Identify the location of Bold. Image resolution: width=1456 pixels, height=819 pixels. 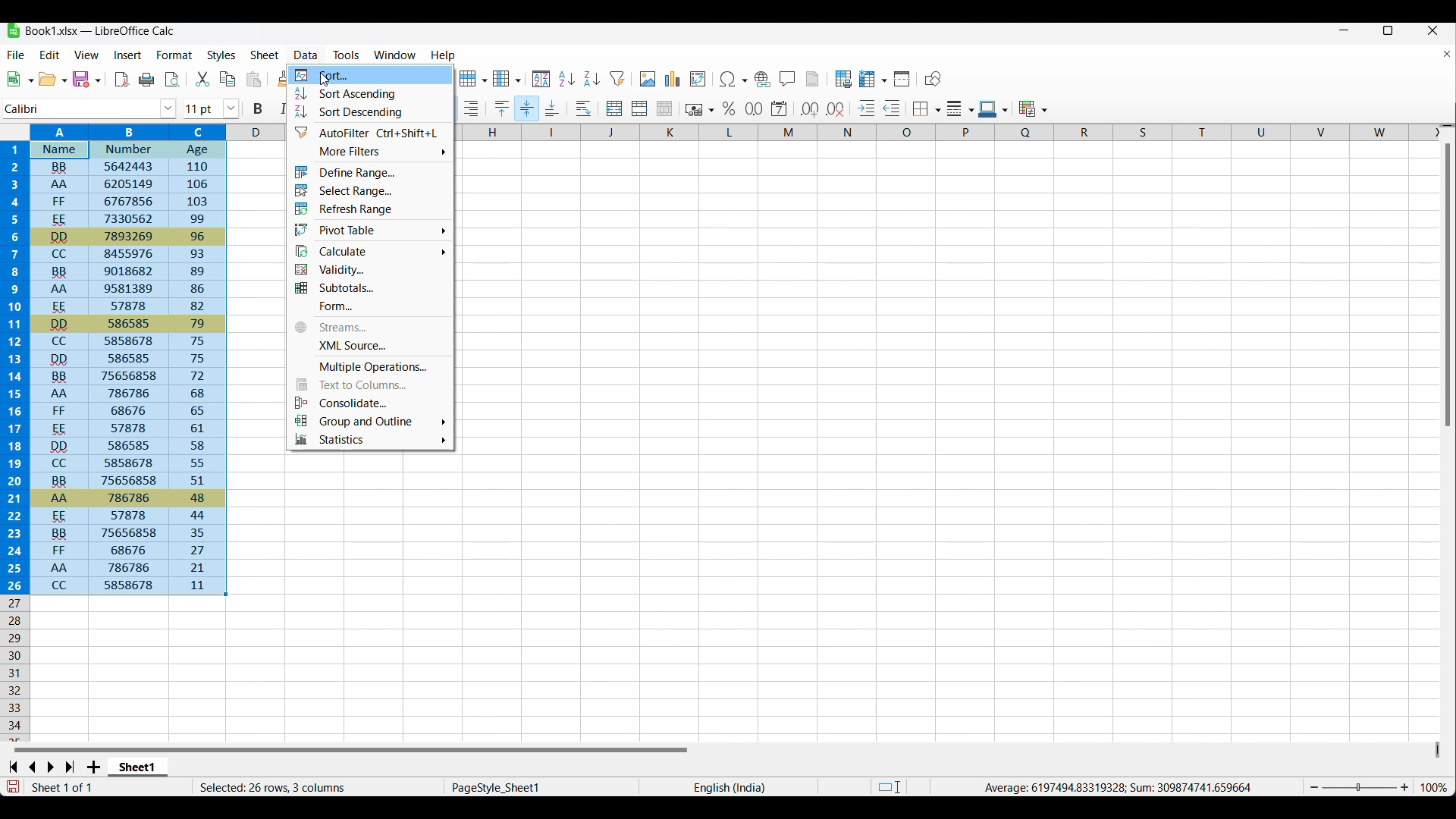
(258, 109).